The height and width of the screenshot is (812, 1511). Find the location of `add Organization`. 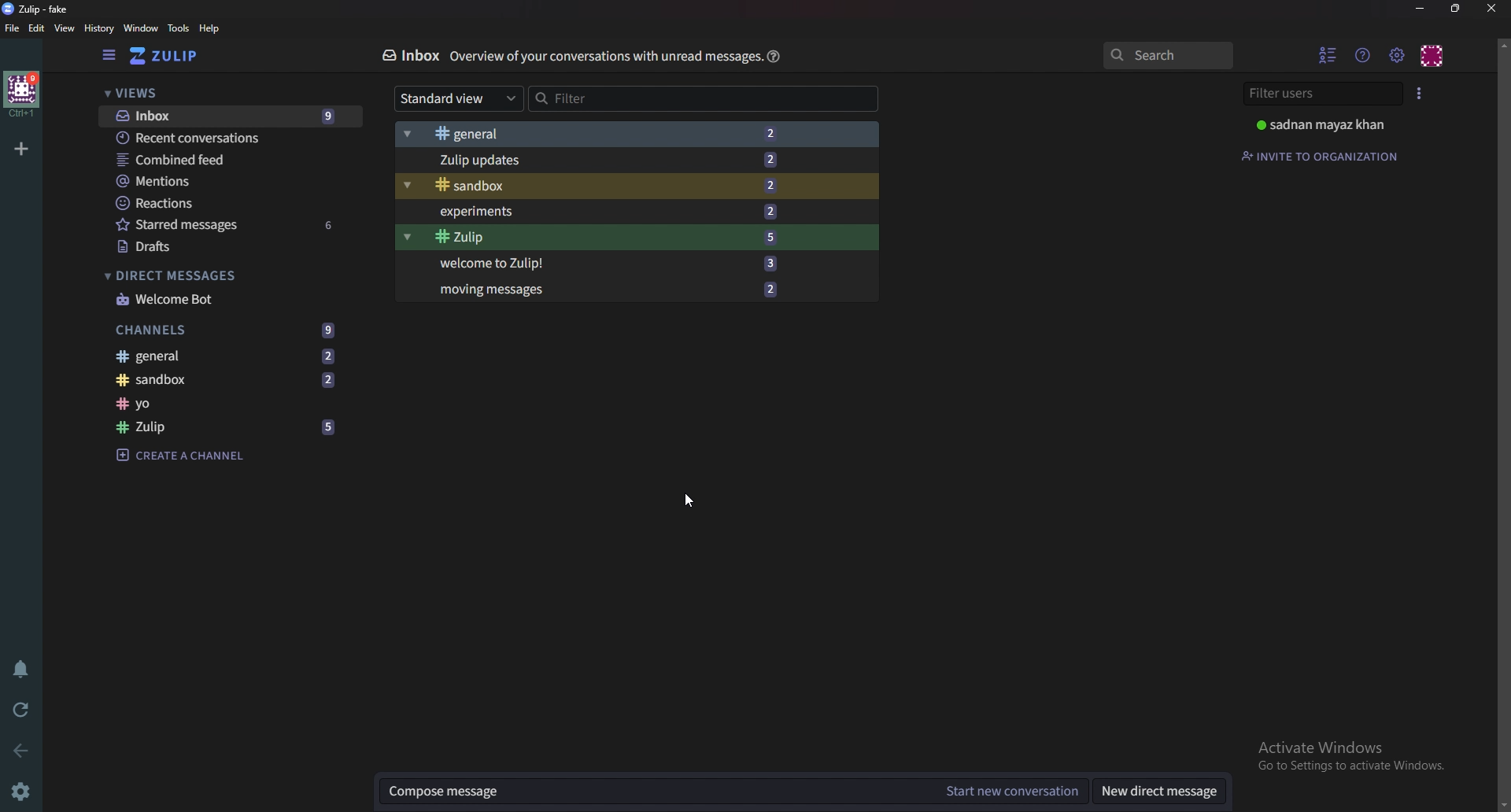

add Organization is located at coordinates (21, 149).